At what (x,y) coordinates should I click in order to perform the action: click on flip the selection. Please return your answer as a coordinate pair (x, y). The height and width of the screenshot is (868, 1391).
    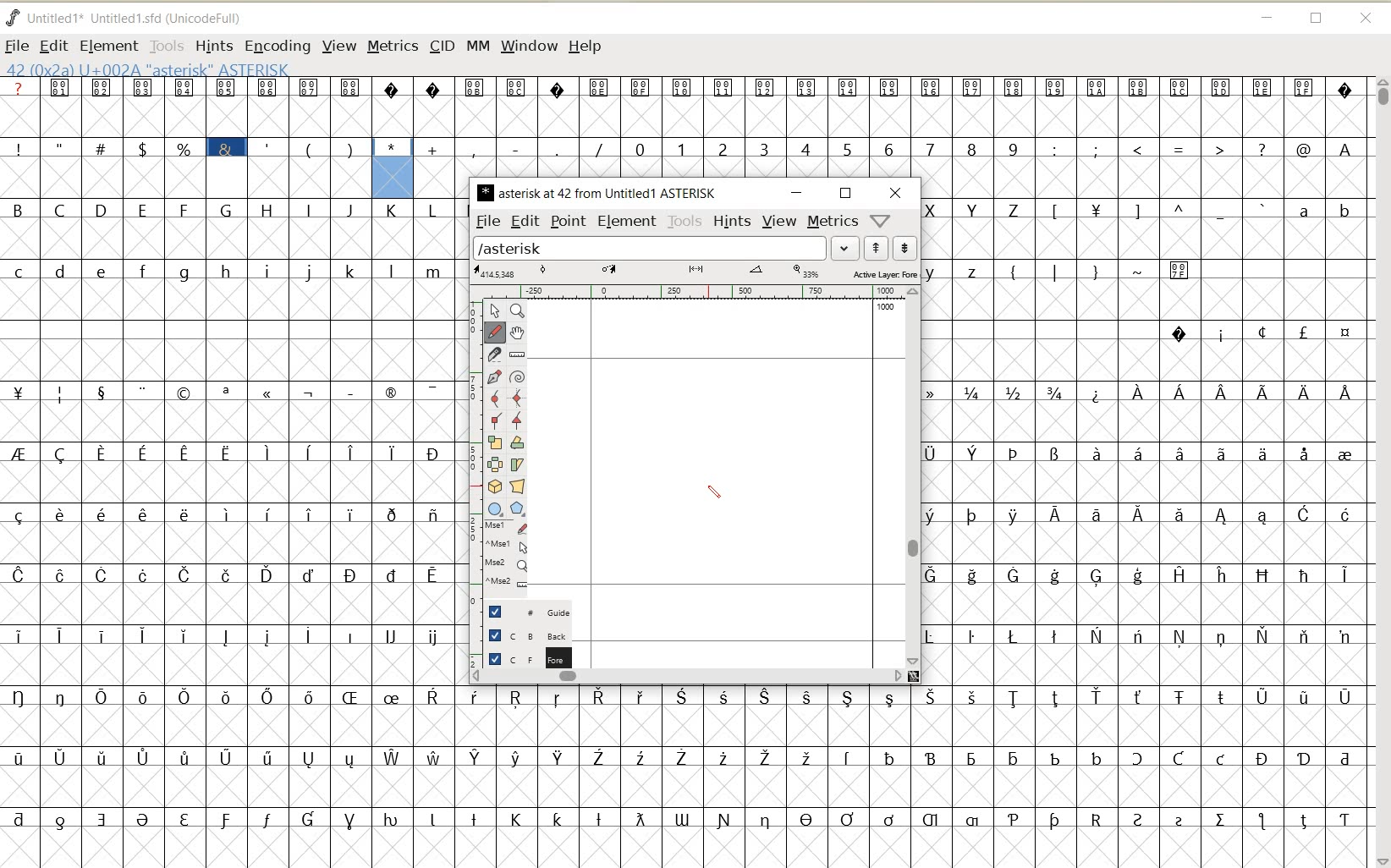
    Looking at the image, I should click on (493, 464).